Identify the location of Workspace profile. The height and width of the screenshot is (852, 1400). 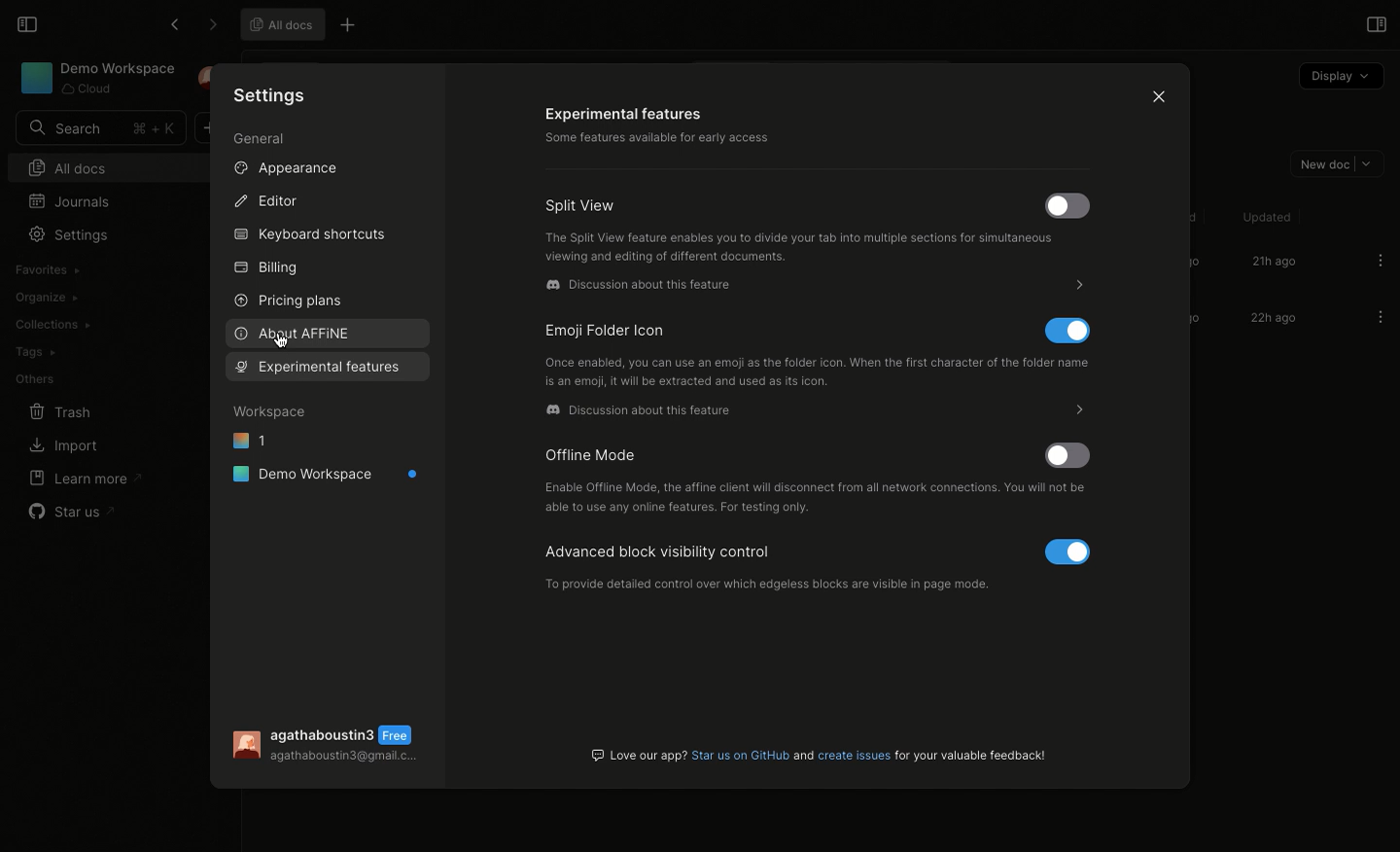
(804, 249).